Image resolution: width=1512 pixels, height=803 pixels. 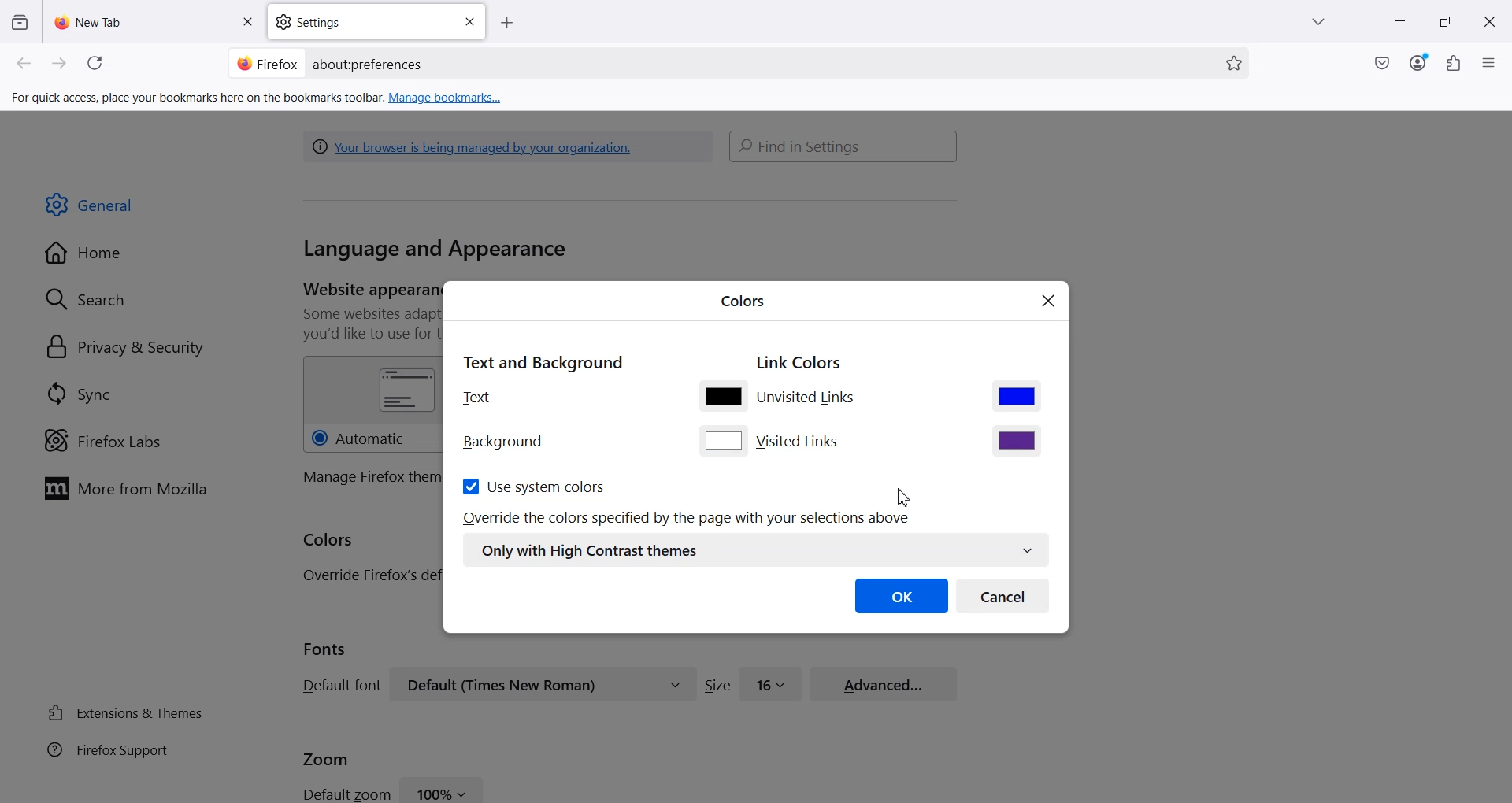 What do you see at coordinates (503, 442) in the screenshot?
I see `Background` at bounding box center [503, 442].